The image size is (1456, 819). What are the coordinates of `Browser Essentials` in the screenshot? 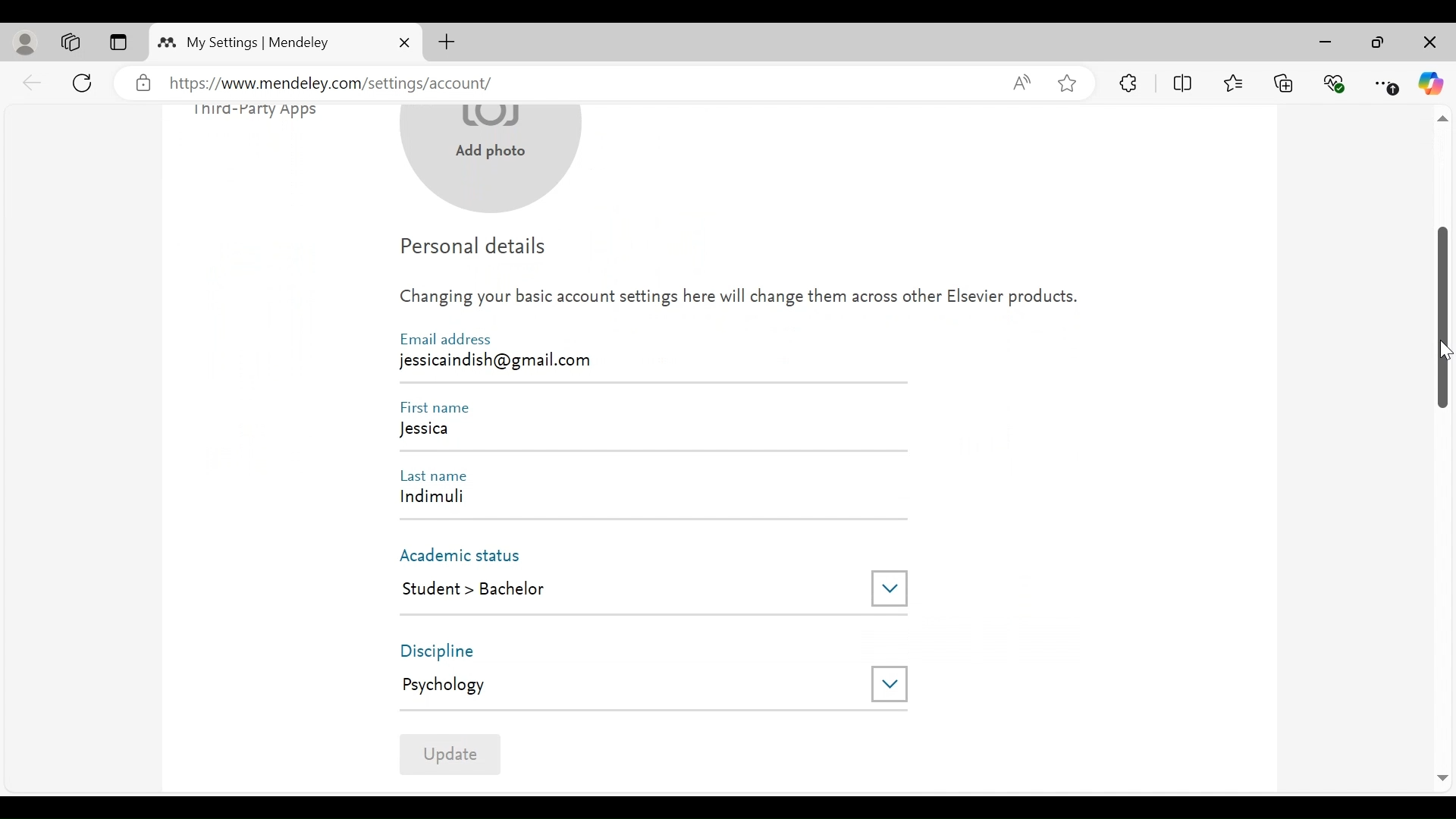 It's located at (1335, 82).